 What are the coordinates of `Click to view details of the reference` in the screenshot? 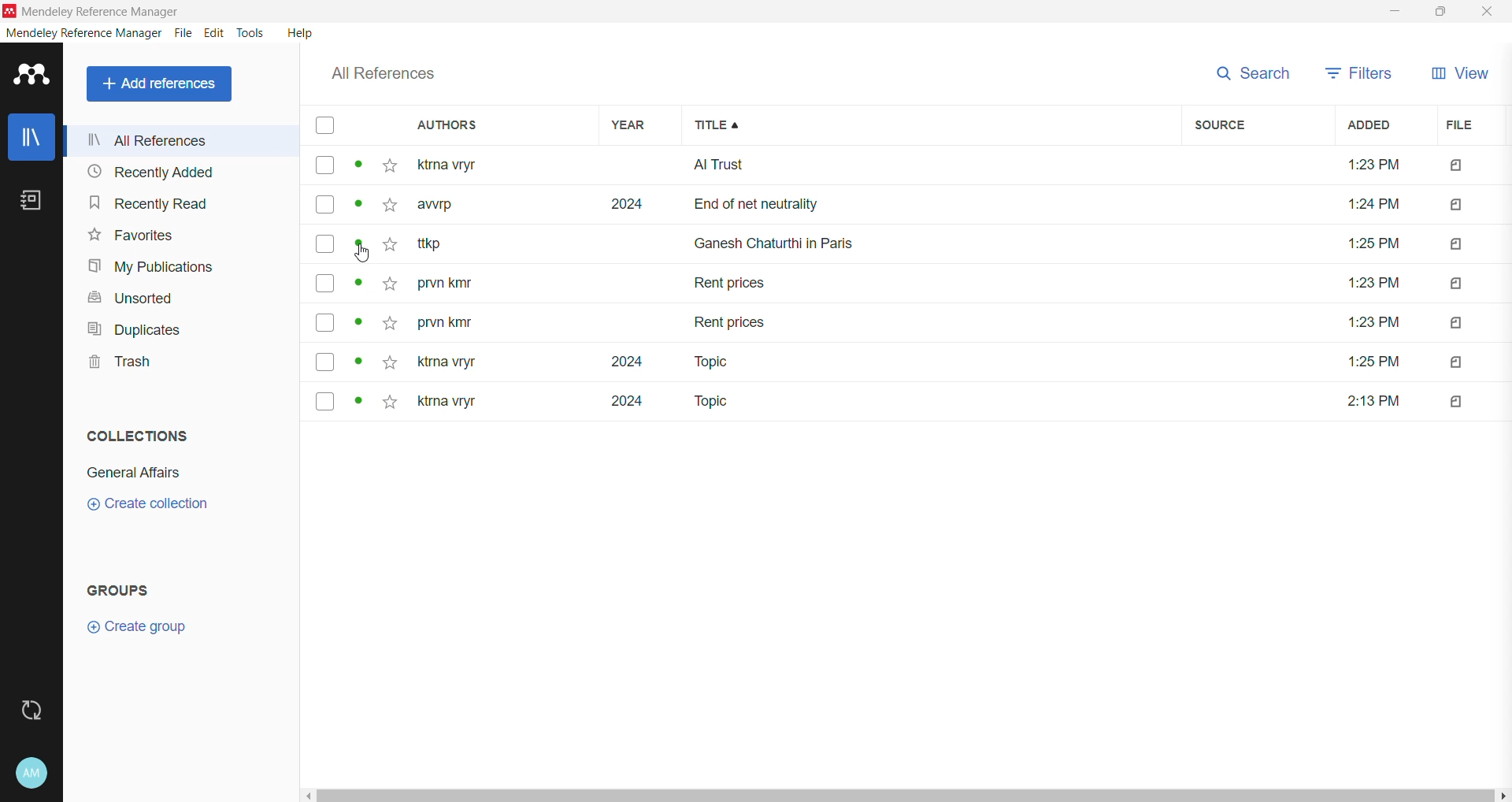 It's located at (361, 285).